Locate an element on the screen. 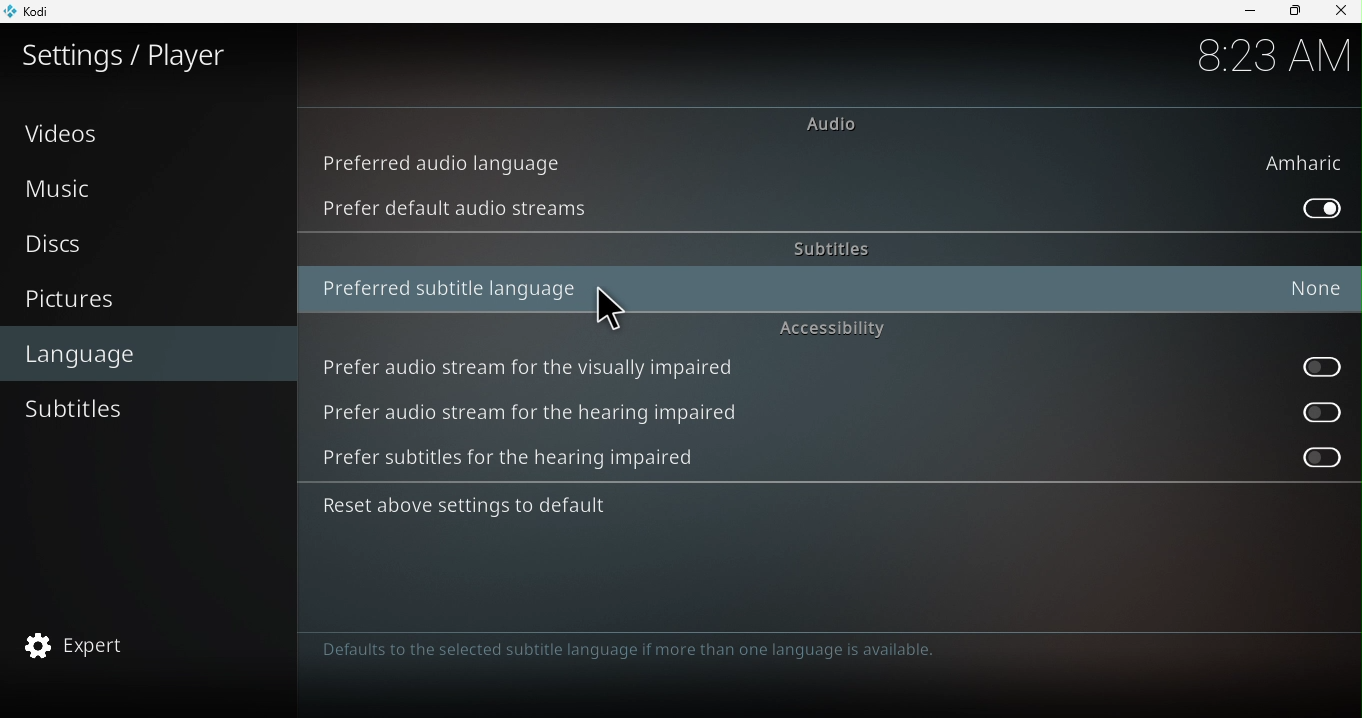 This screenshot has width=1362, height=718. Prefer default audio streams is located at coordinates (460, 208).